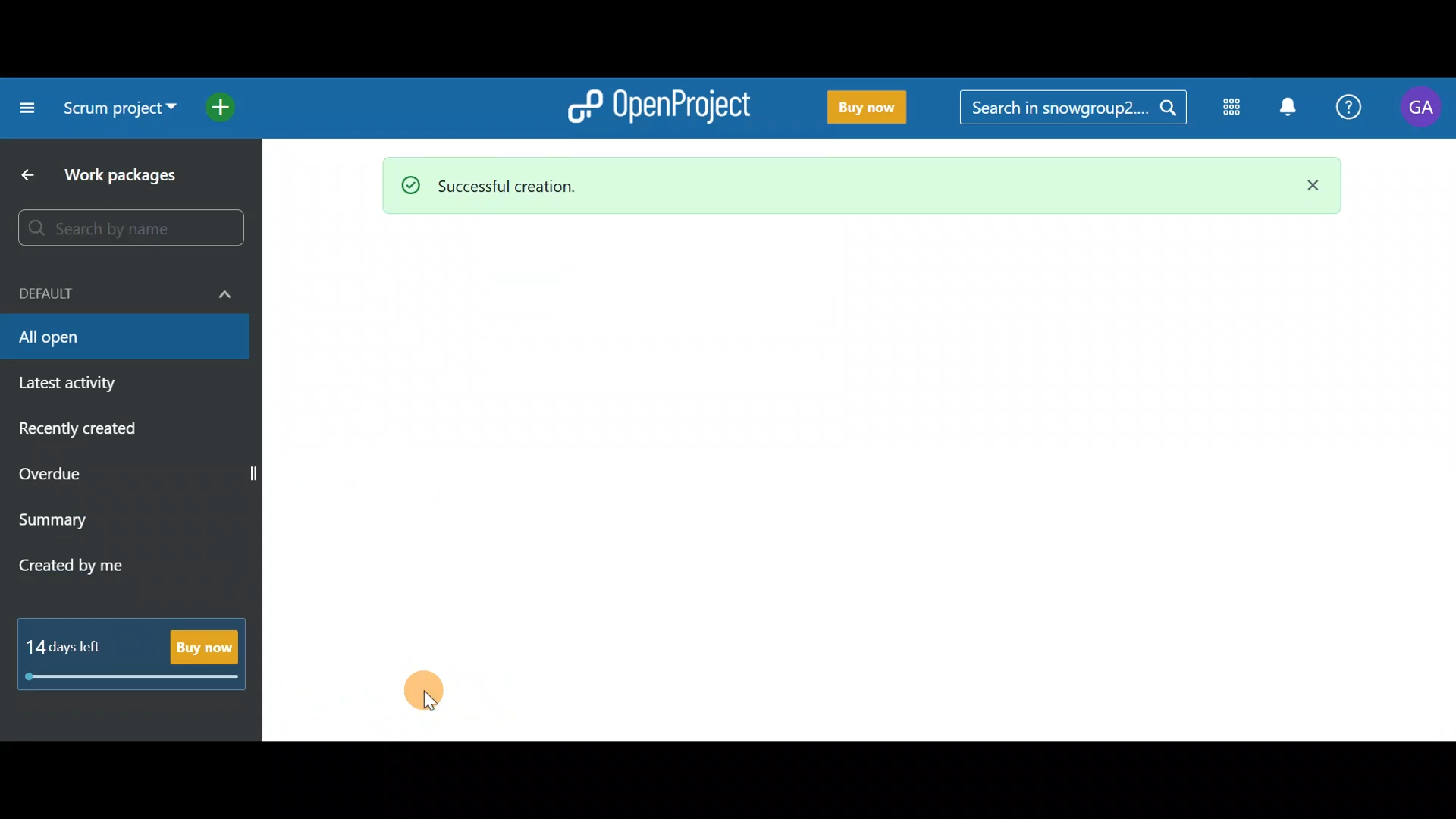 This screenshot has height=819, width=1456. Describe the element at coordinates (24, 108) in the screenshot. I see `Collapse project menu` at that location.